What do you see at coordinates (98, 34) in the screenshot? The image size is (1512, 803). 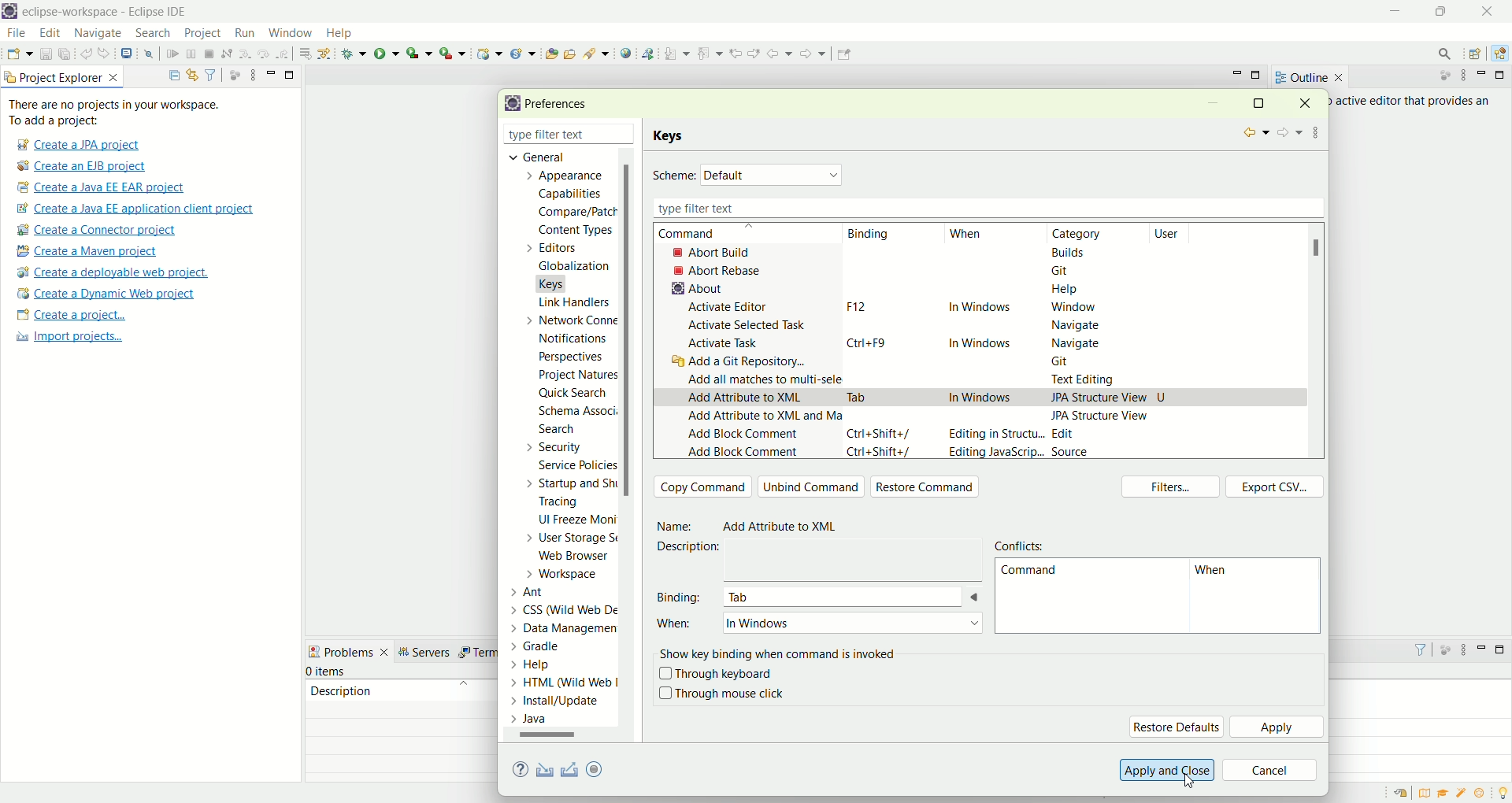 I see `navigate` at bounding box center [98, 34].